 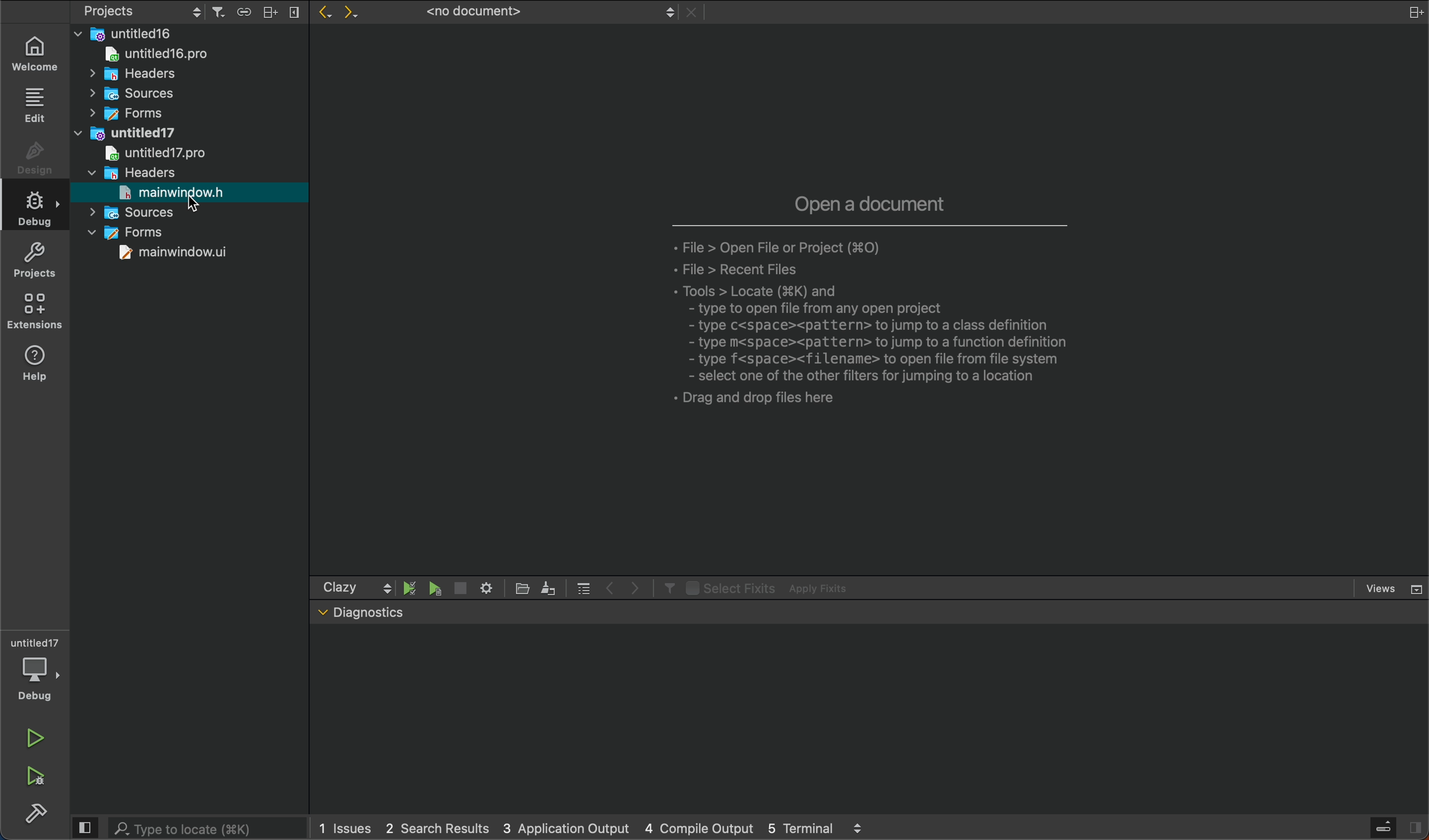 I want to click on Headers, so click(x=132, y=172).